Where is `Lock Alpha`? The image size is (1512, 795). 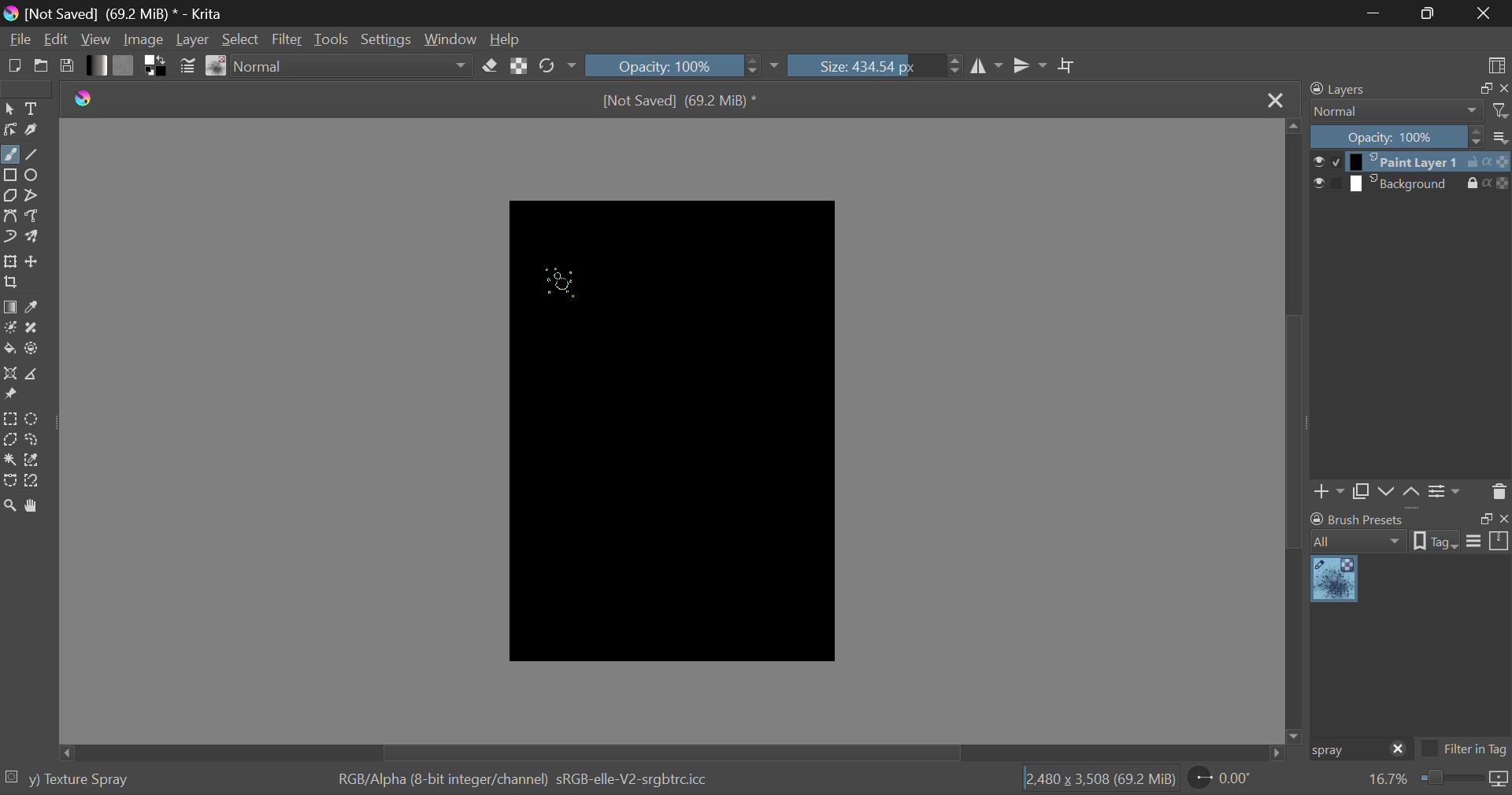 Lock Alpha is located at coordinates (520, 65).